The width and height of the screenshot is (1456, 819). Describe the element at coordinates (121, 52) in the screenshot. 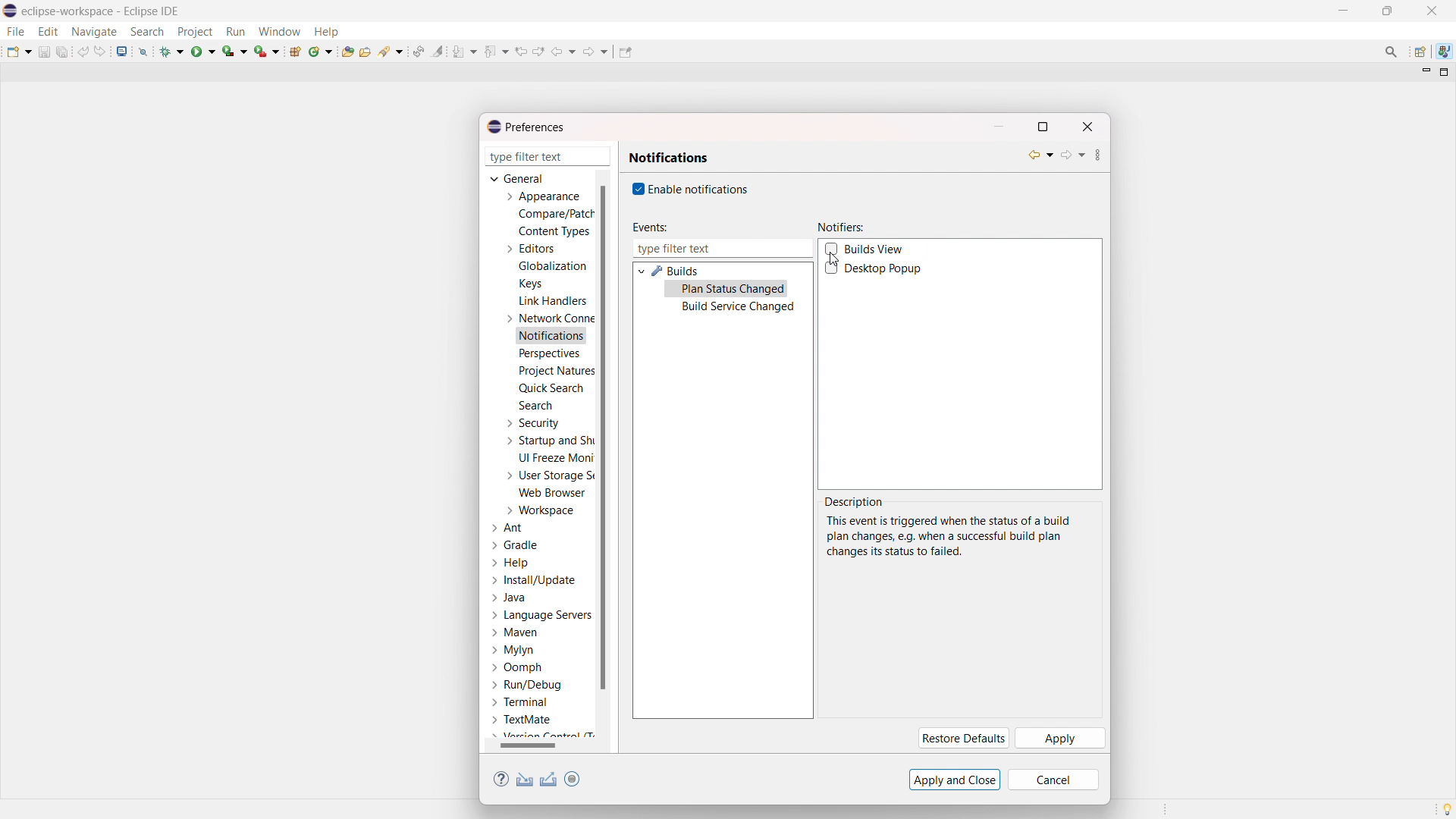

I see `open console` at that location.